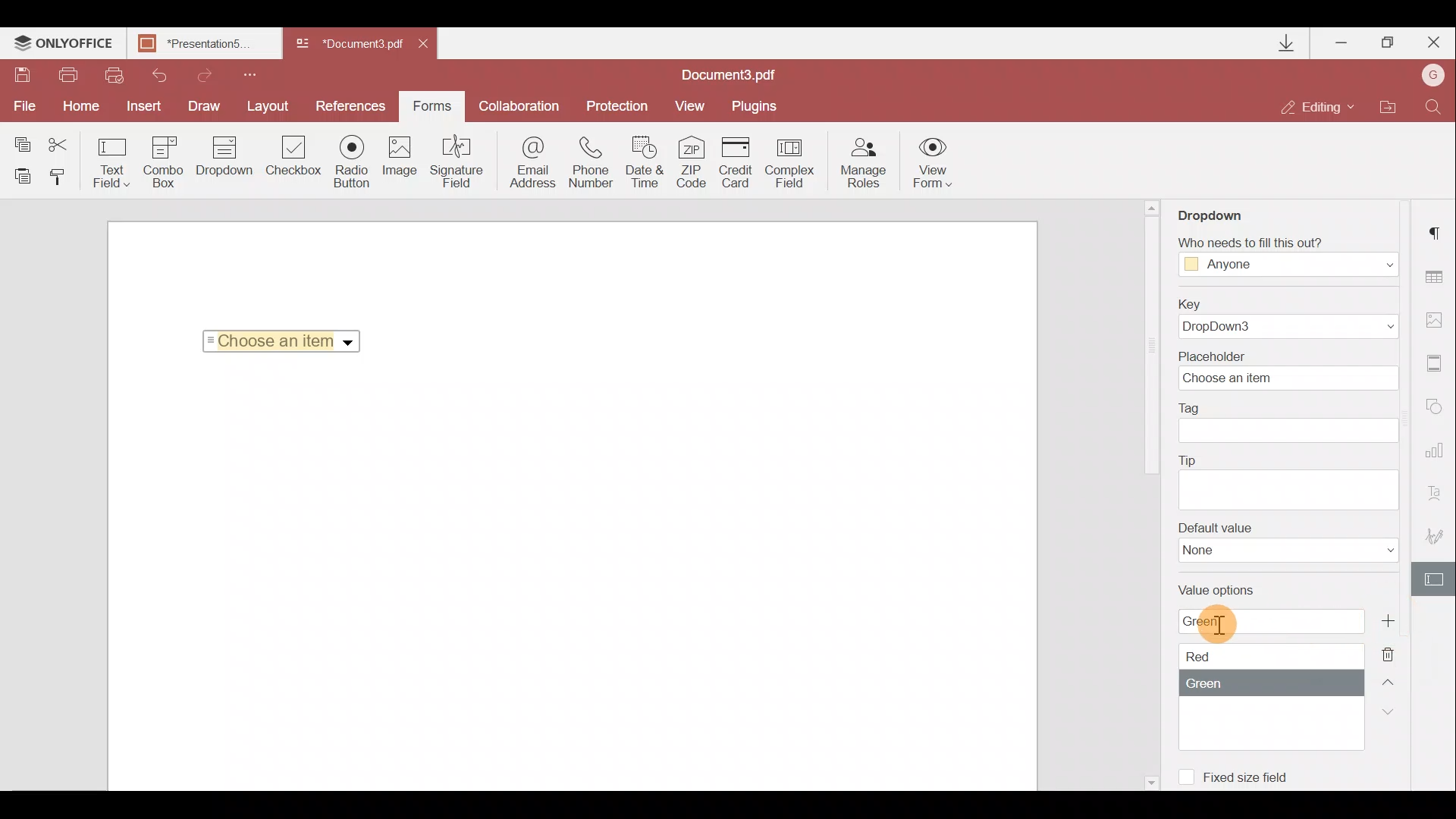 This screenshot has height=819, width=1456. Describe the element at coordinates (1436, 106) in the screenshot. I see `Find` at that location.